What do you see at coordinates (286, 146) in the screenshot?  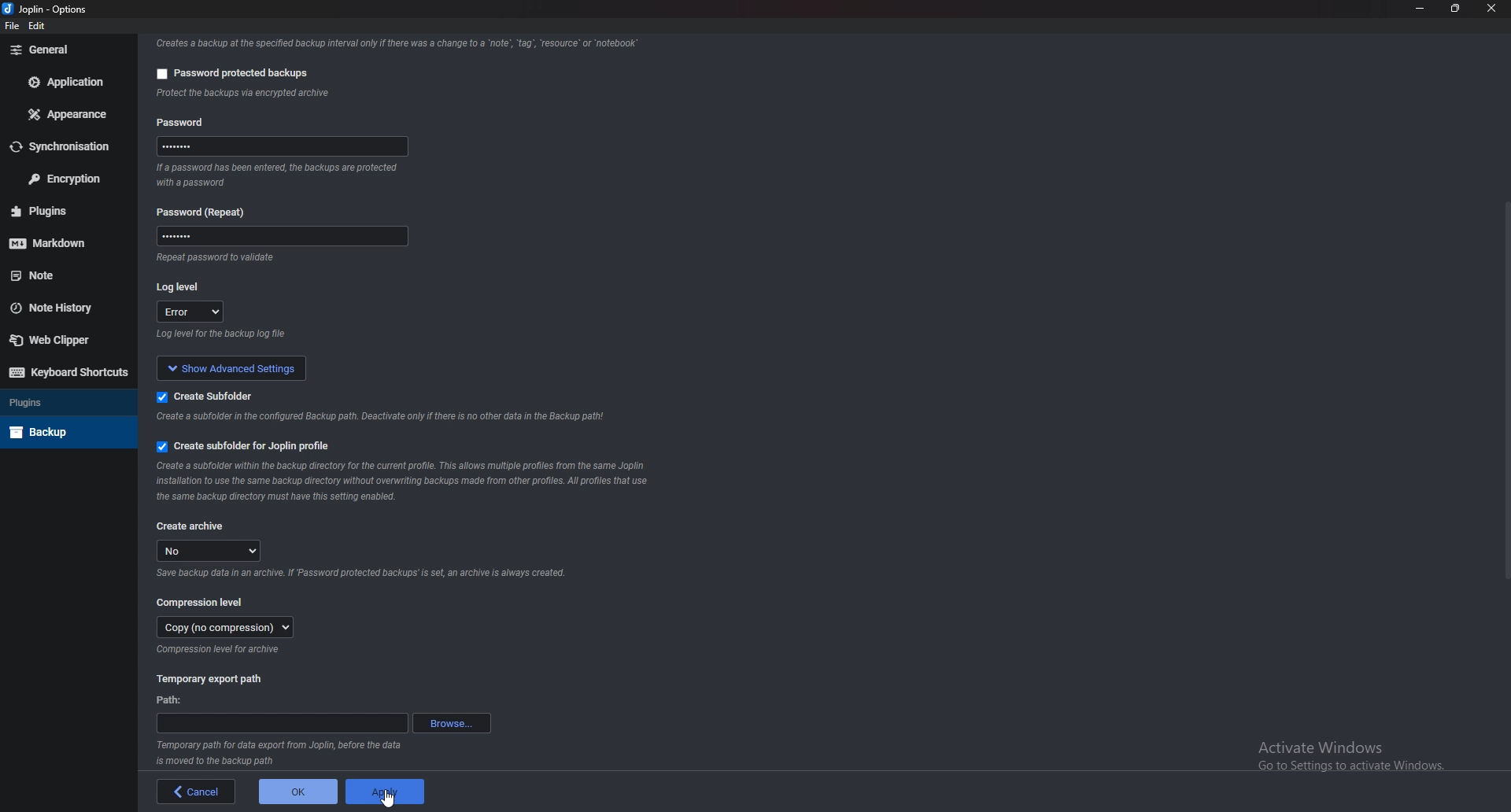 I see `password` at bounding box center [286, 146].